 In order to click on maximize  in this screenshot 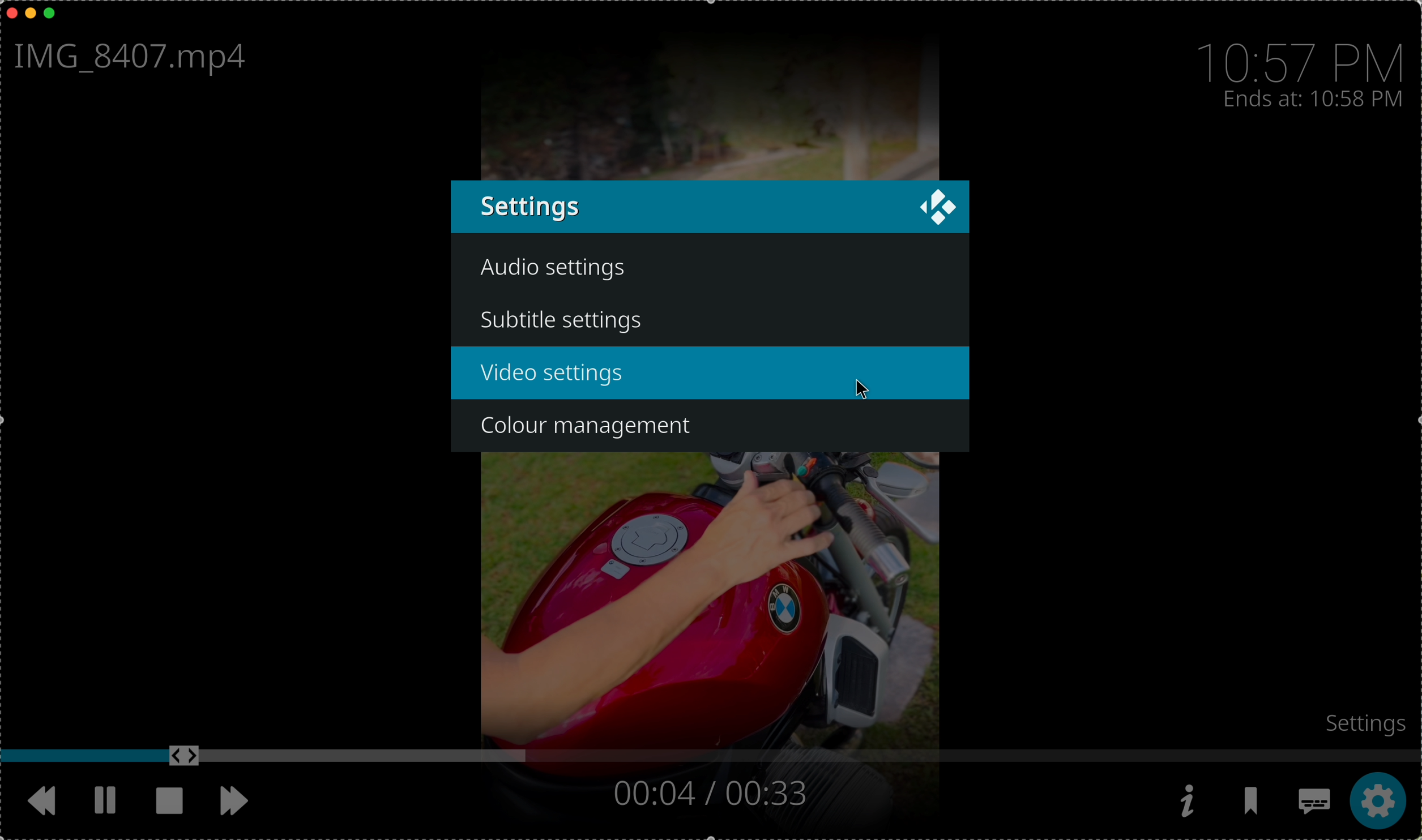, I will do `click(55, 14)`.